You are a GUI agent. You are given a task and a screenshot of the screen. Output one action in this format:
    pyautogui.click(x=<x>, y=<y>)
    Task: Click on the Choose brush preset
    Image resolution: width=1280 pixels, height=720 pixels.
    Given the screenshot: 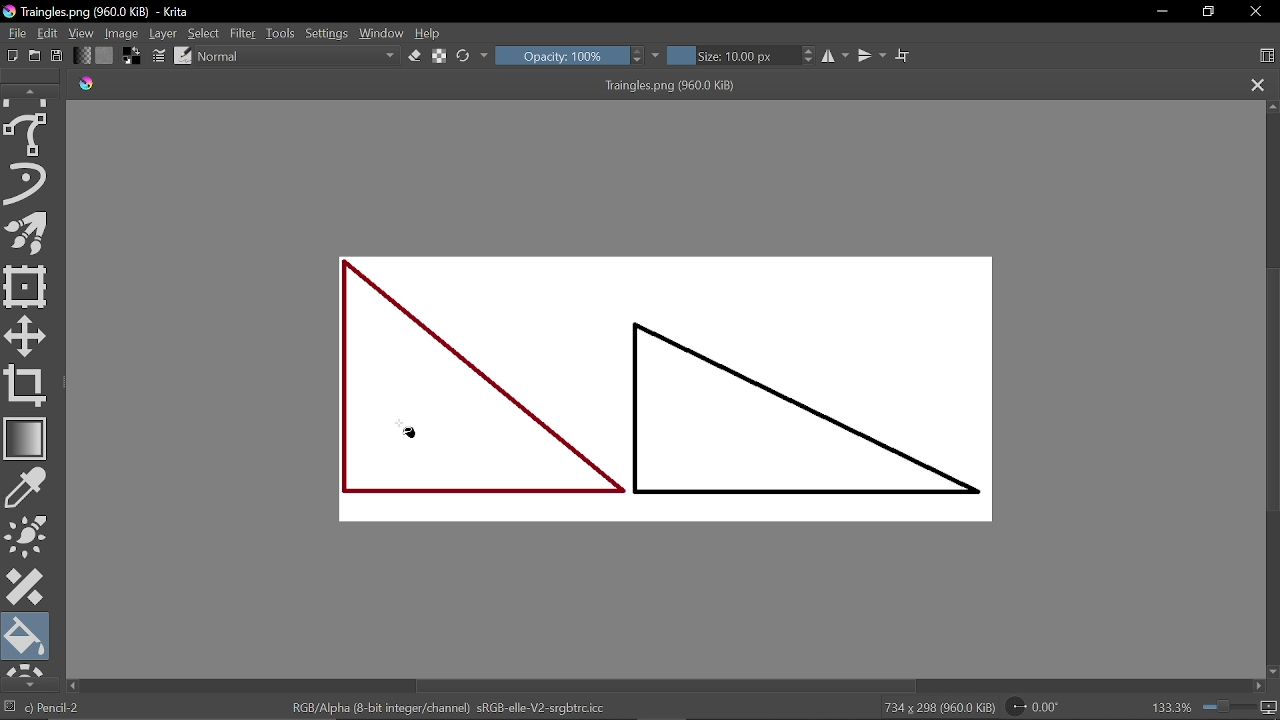 What is the action you would take?
    pyautogui.click(x=184, y=57)
    